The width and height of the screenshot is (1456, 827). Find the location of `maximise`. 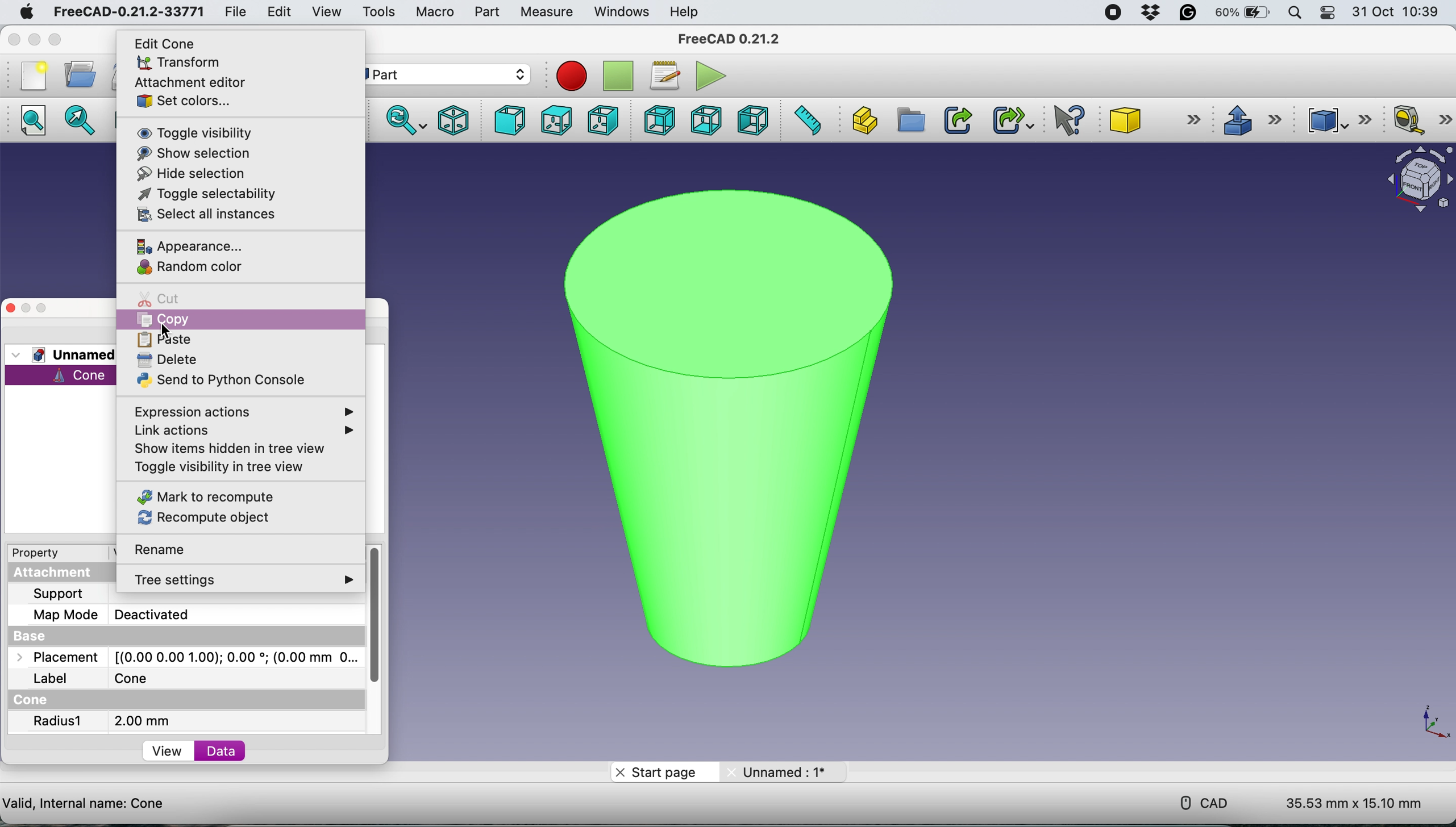

maximise is located at coordinates (76, 39).